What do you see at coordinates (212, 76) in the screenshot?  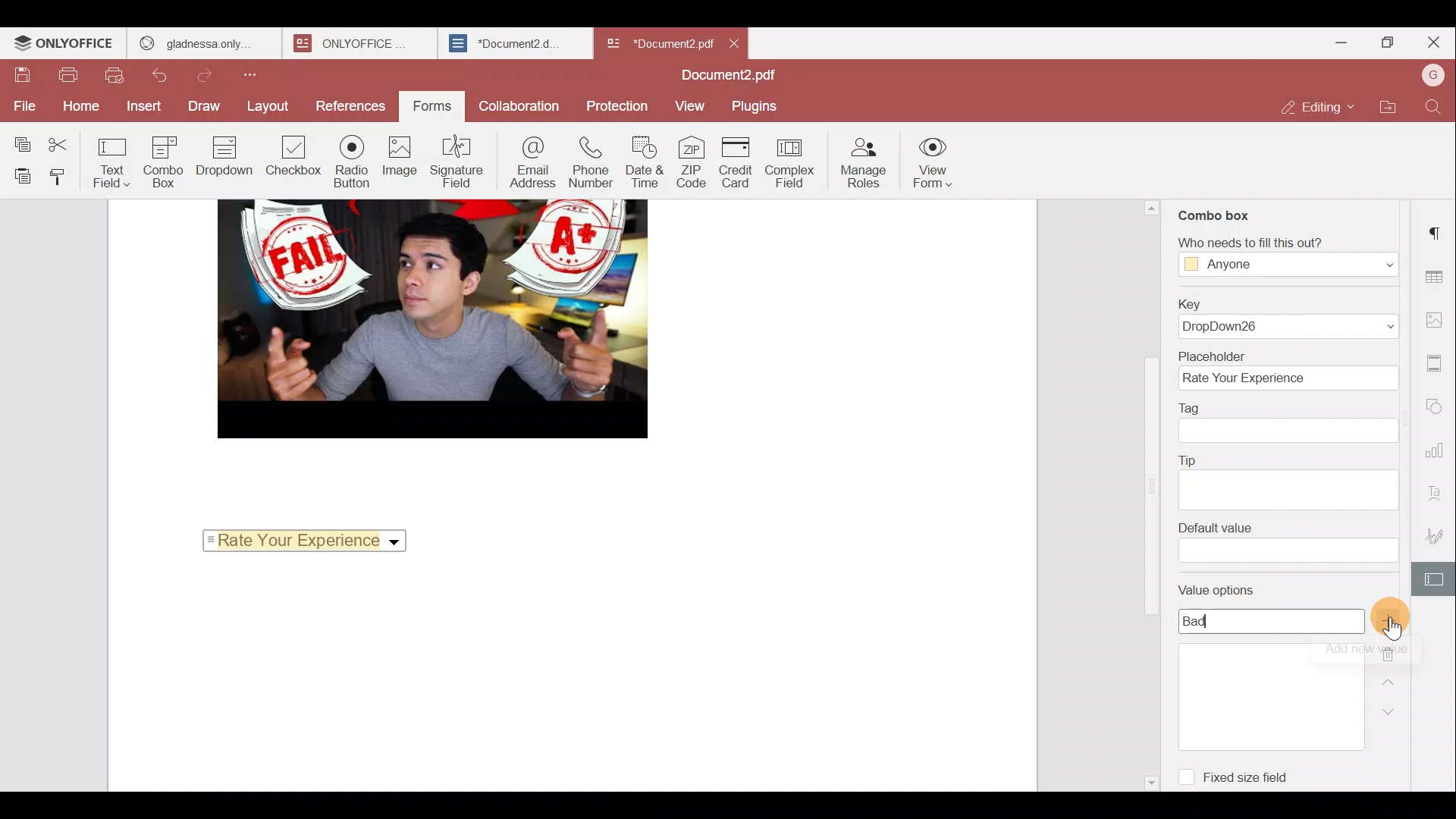 I see `Redo` at bounding box center [212, 76].